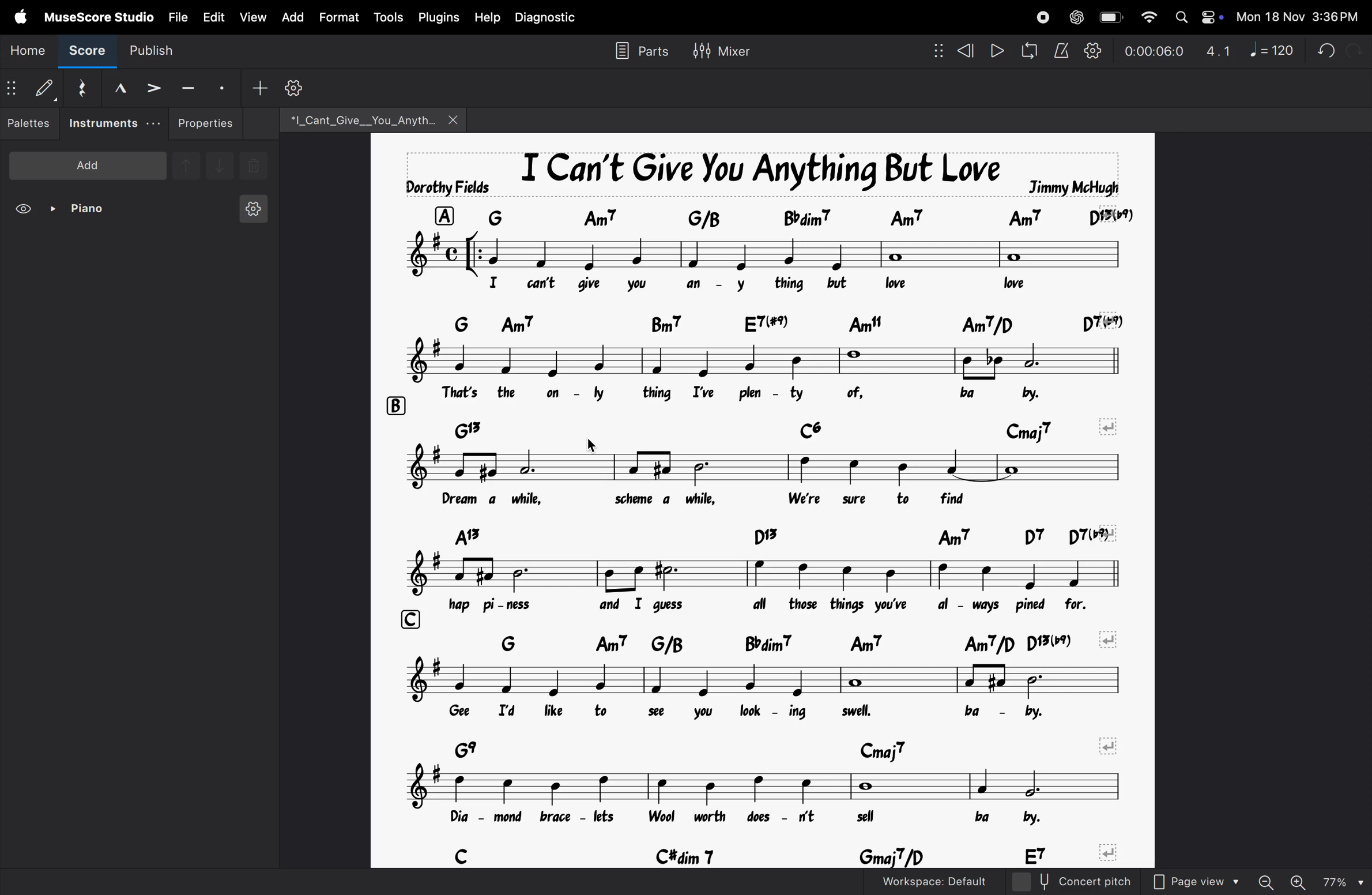 Image resolution: width=1372 pixels, height=895 pixels. Describe the element at coordinates (1196, 17) in the screenshot. I see `apple widgets` at that location.